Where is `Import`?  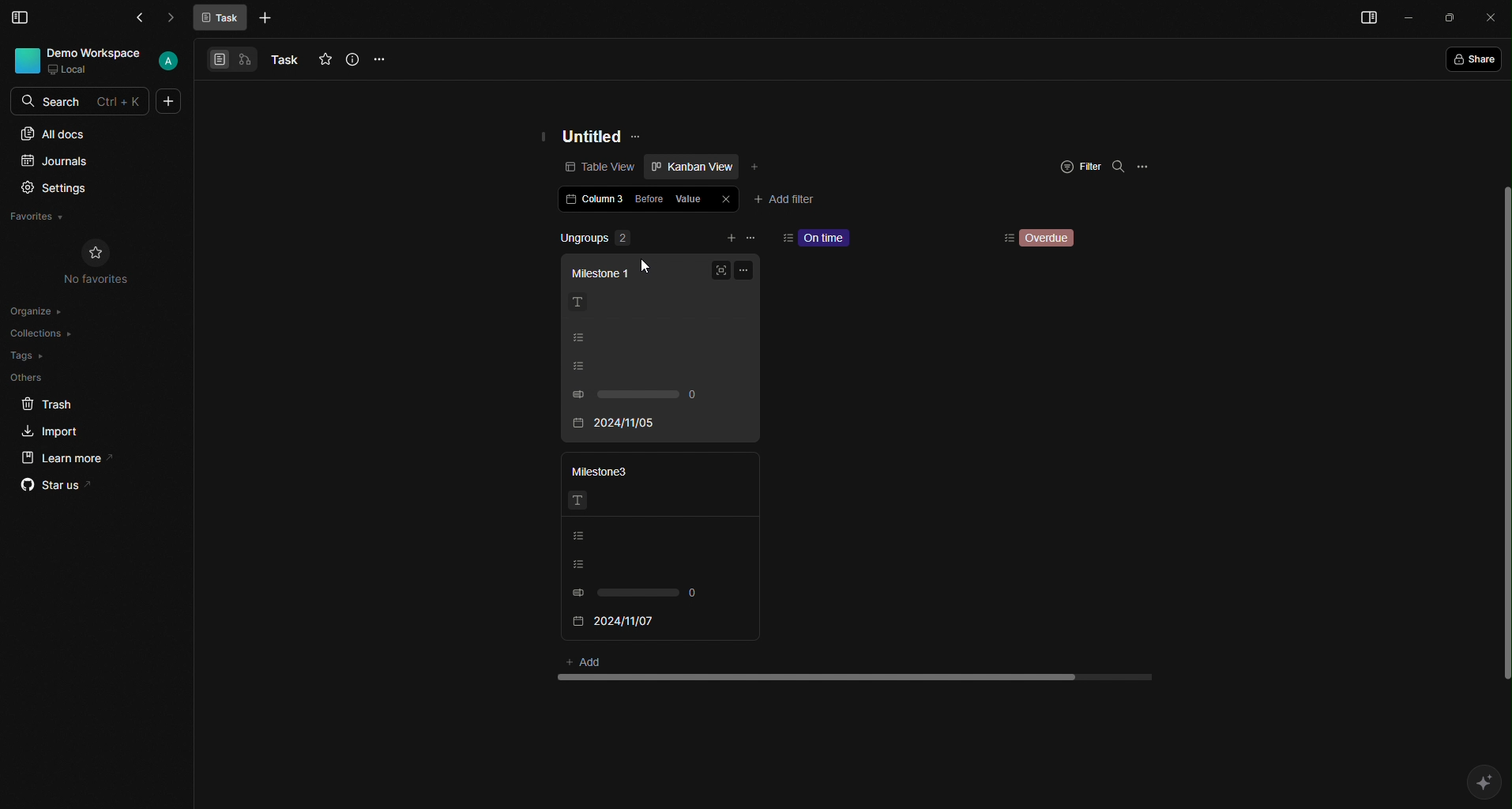 Import is located at coordinates (51, 431).